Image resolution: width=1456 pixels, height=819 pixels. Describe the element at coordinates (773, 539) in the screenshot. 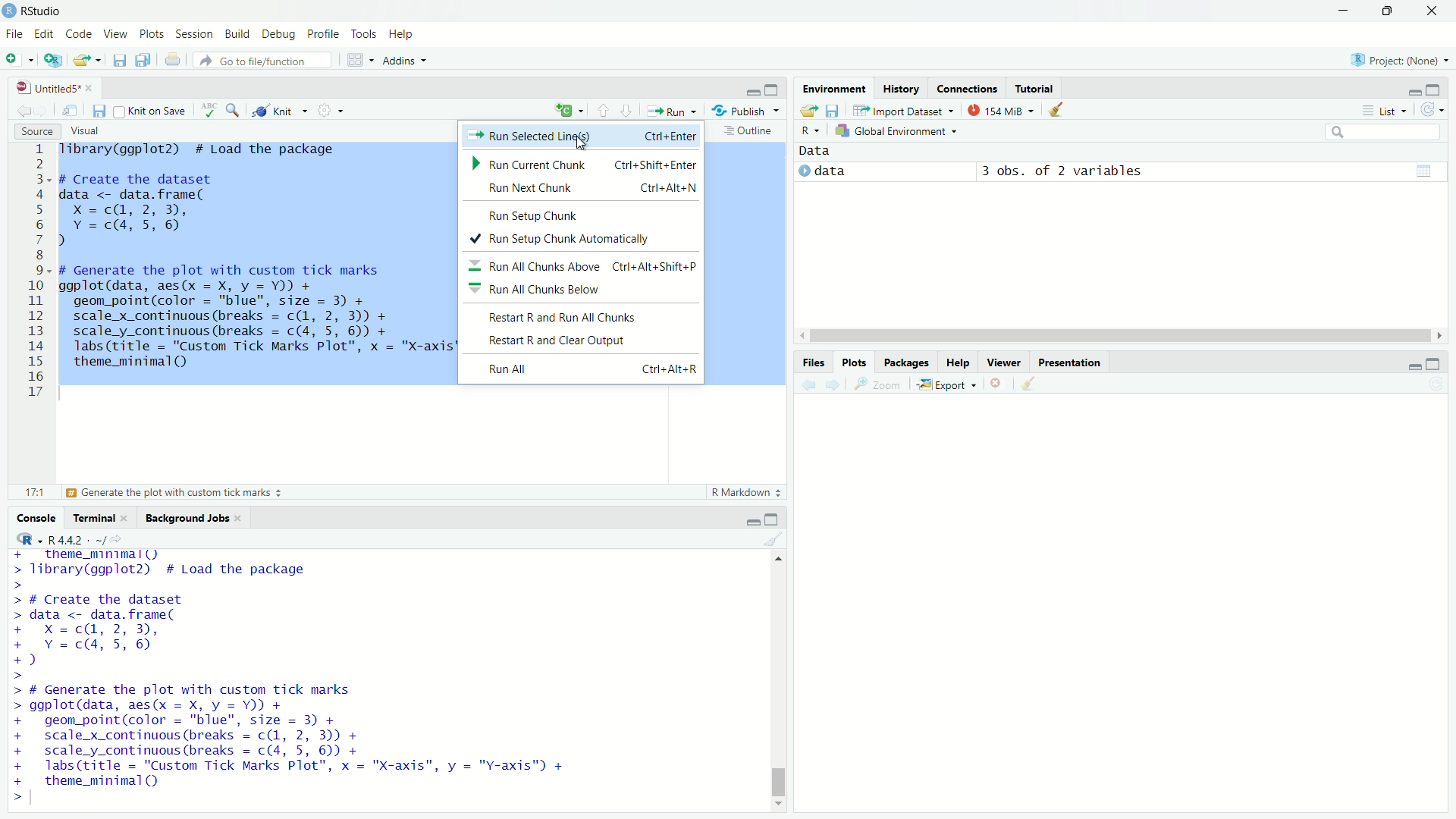

I see `clear console` at that location.